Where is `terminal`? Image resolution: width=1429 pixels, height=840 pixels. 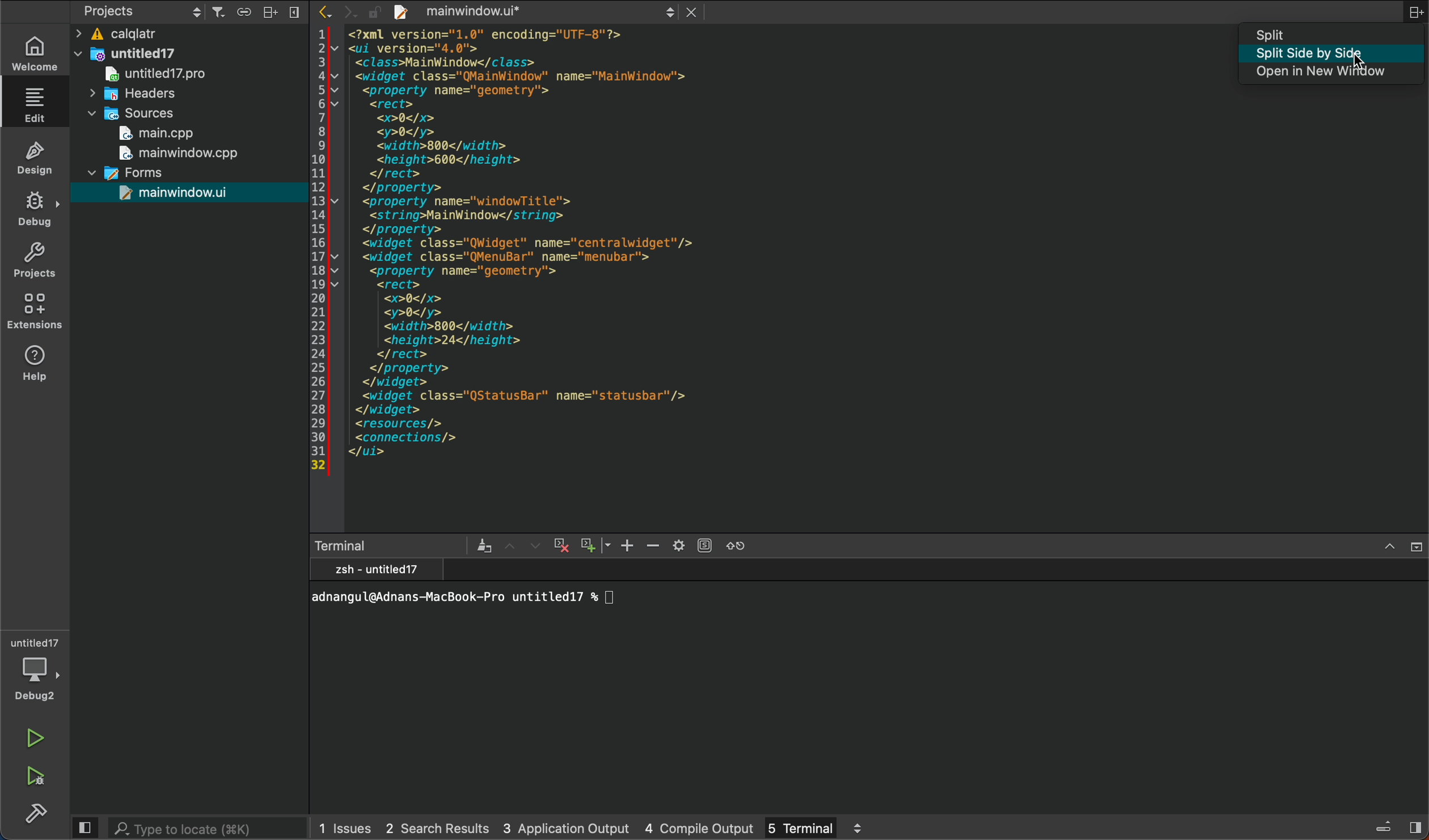
terminal is located at coordinates (870, 684).